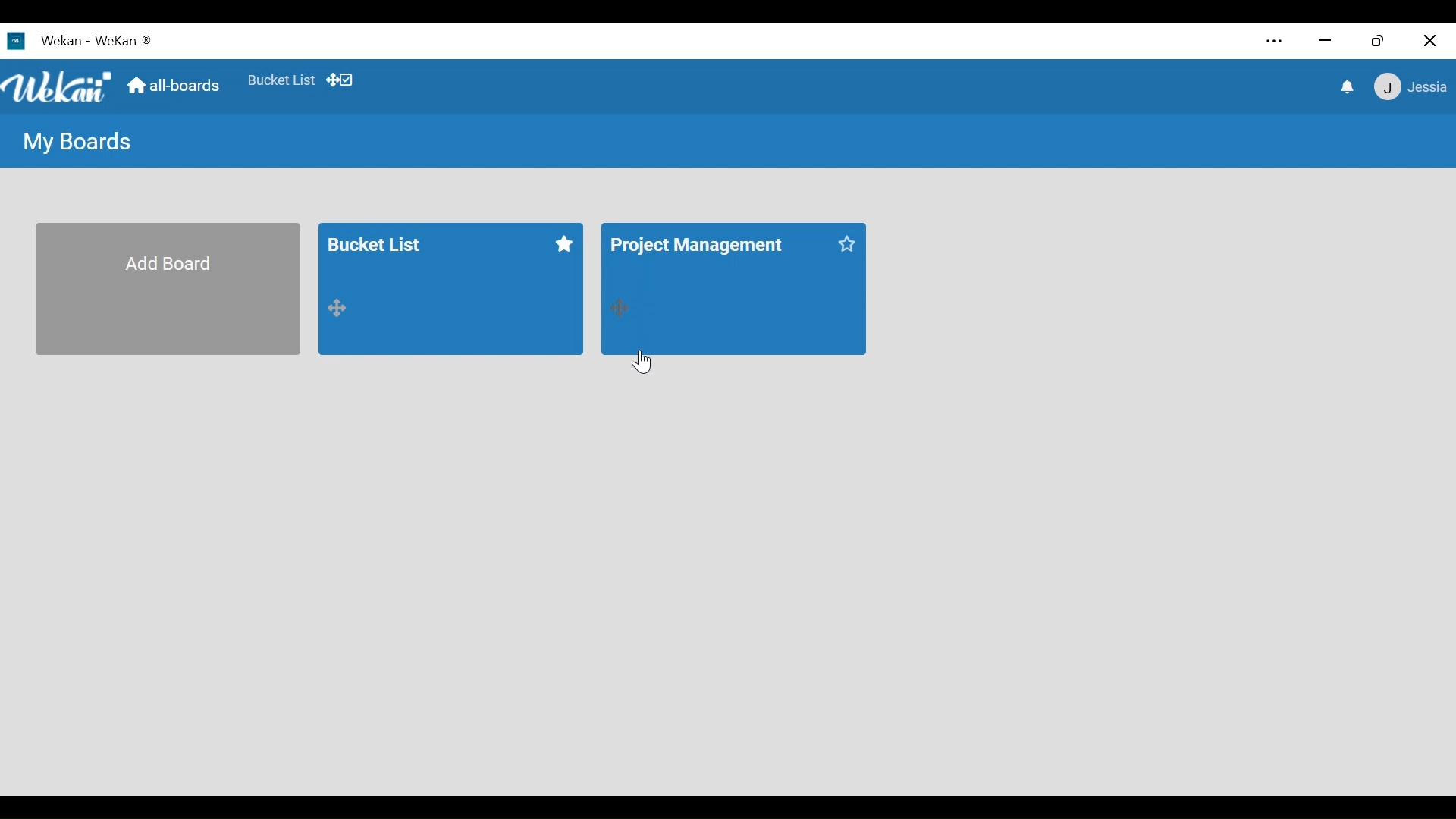 The width and height of the screenshot is (1456, 819). What do you see at coordinates (19, 42) in the screenshot?
I see `Wekan Desktop Icon` at bounding box center [19, 42].